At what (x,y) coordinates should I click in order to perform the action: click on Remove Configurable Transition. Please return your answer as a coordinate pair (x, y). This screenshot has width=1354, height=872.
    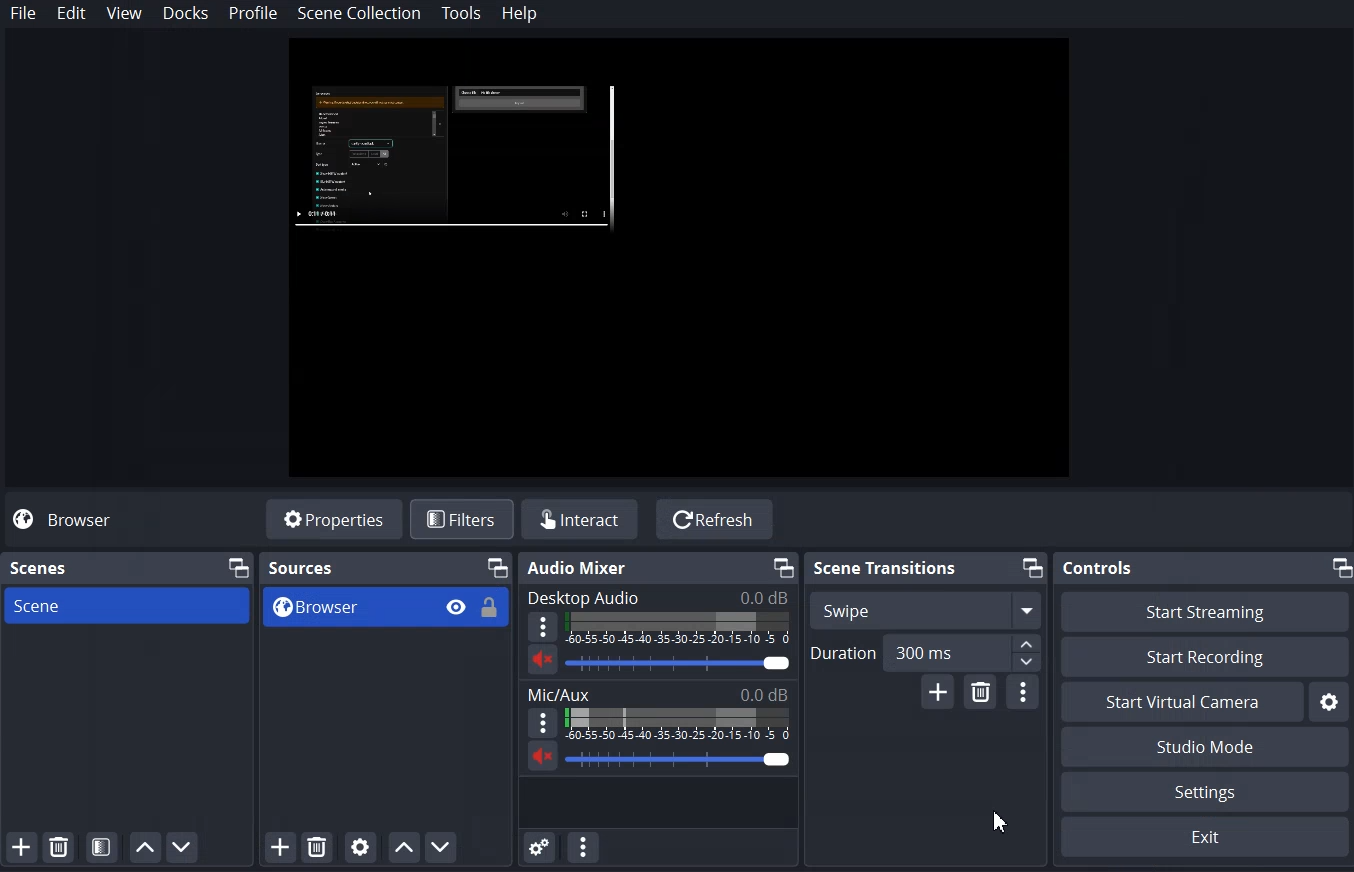
    Looking at the image, I should click on (980, 692).